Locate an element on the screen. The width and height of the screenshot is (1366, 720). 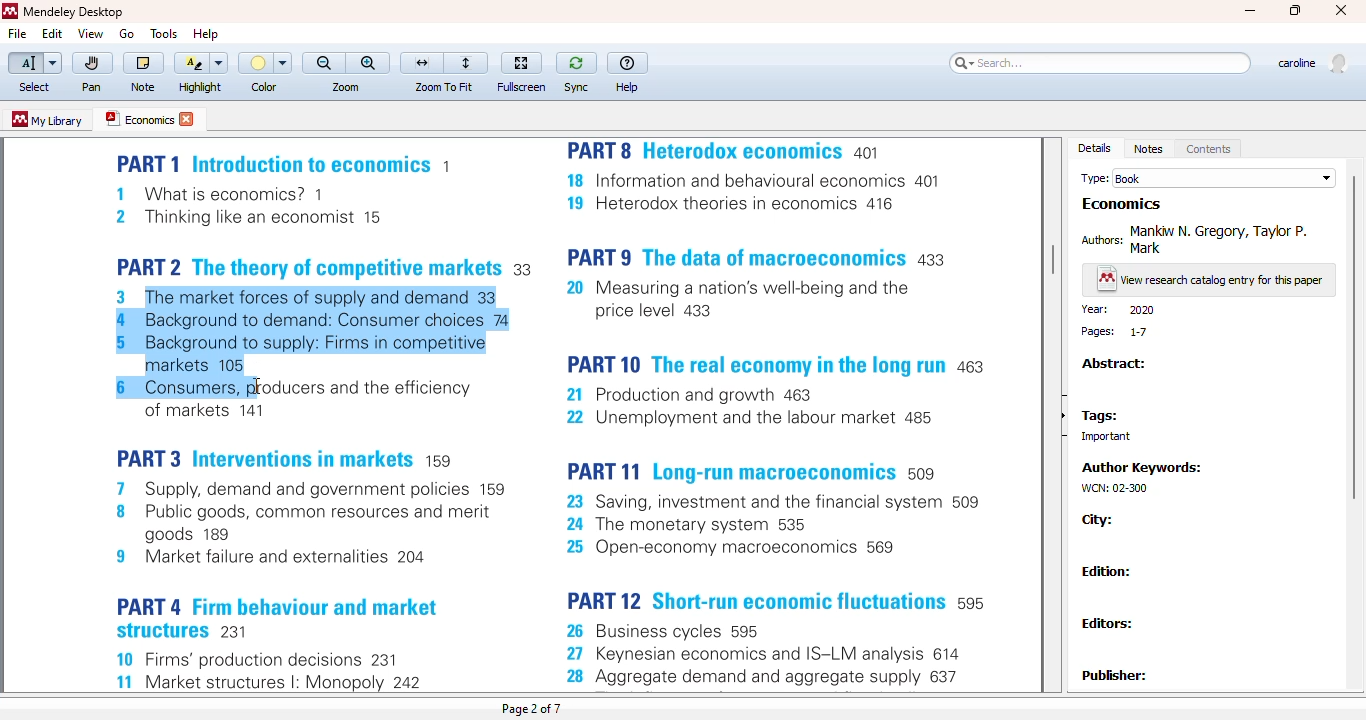
sync is located at coordinates (576, 87).